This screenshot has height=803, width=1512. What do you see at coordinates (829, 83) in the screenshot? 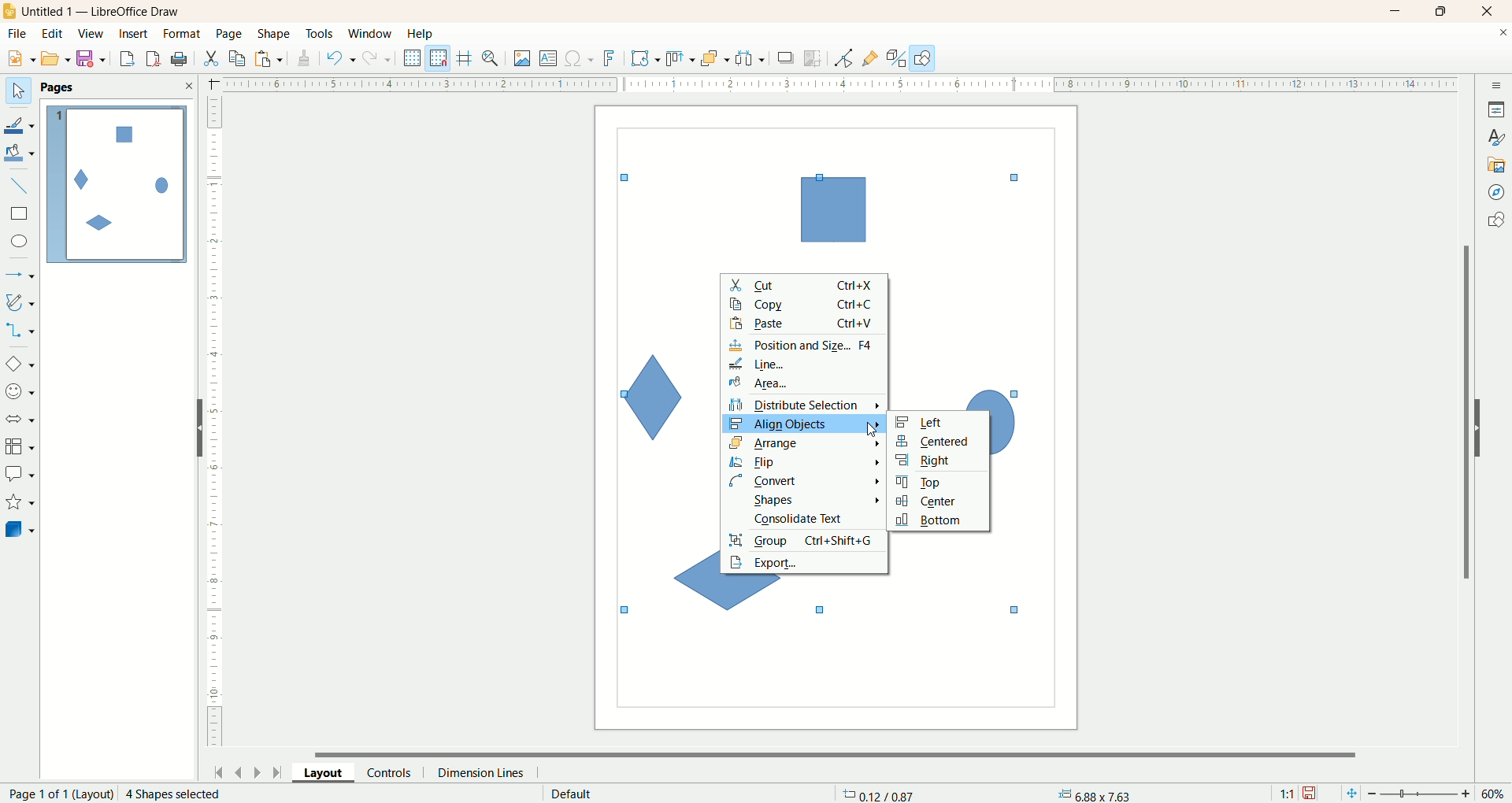
I see `scale bar` at bounding box center [829, 83].